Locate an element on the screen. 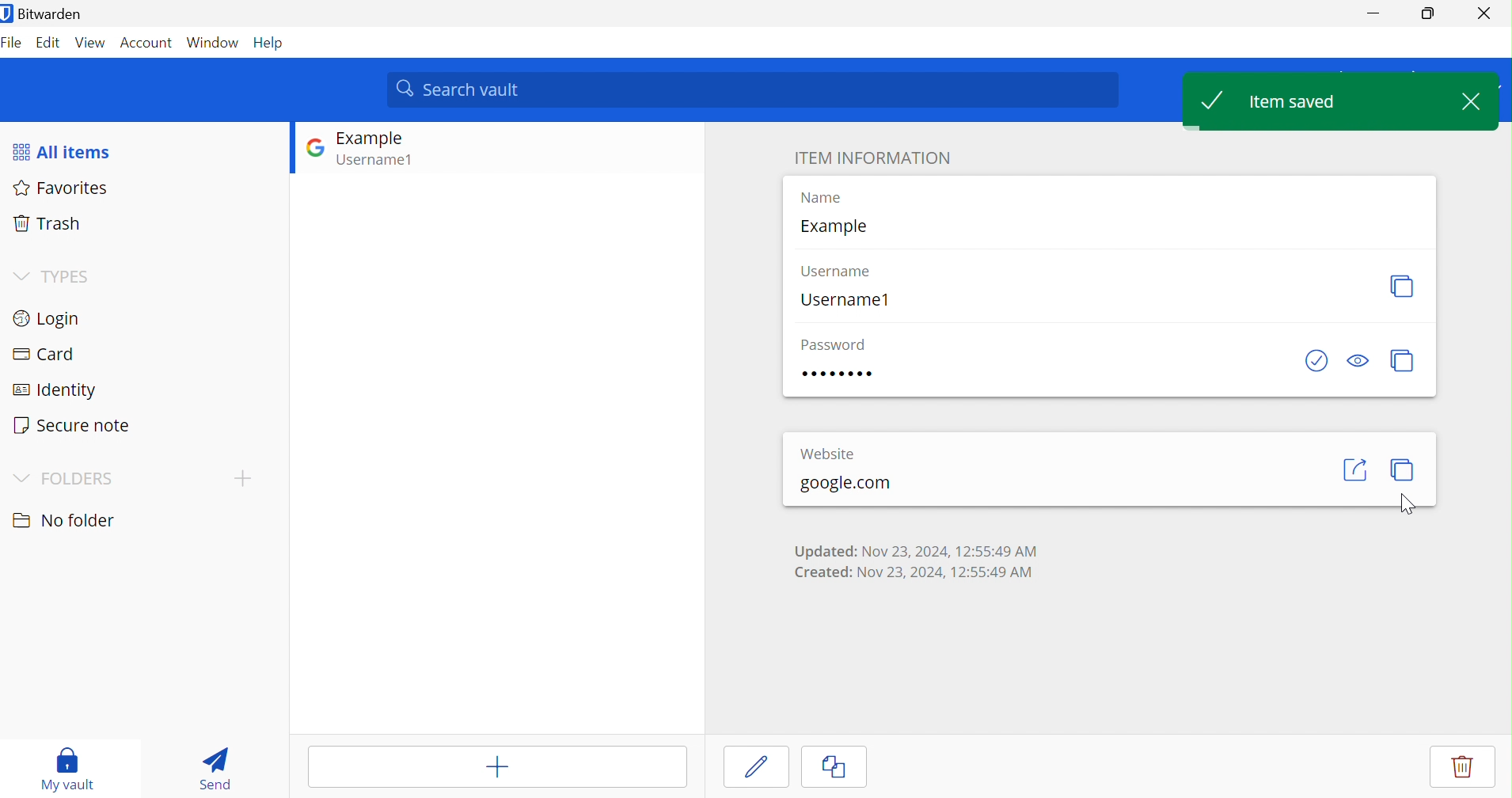 The height and width of the screenshot is (798, 1512). My vault is located at coordinates (69, 767).